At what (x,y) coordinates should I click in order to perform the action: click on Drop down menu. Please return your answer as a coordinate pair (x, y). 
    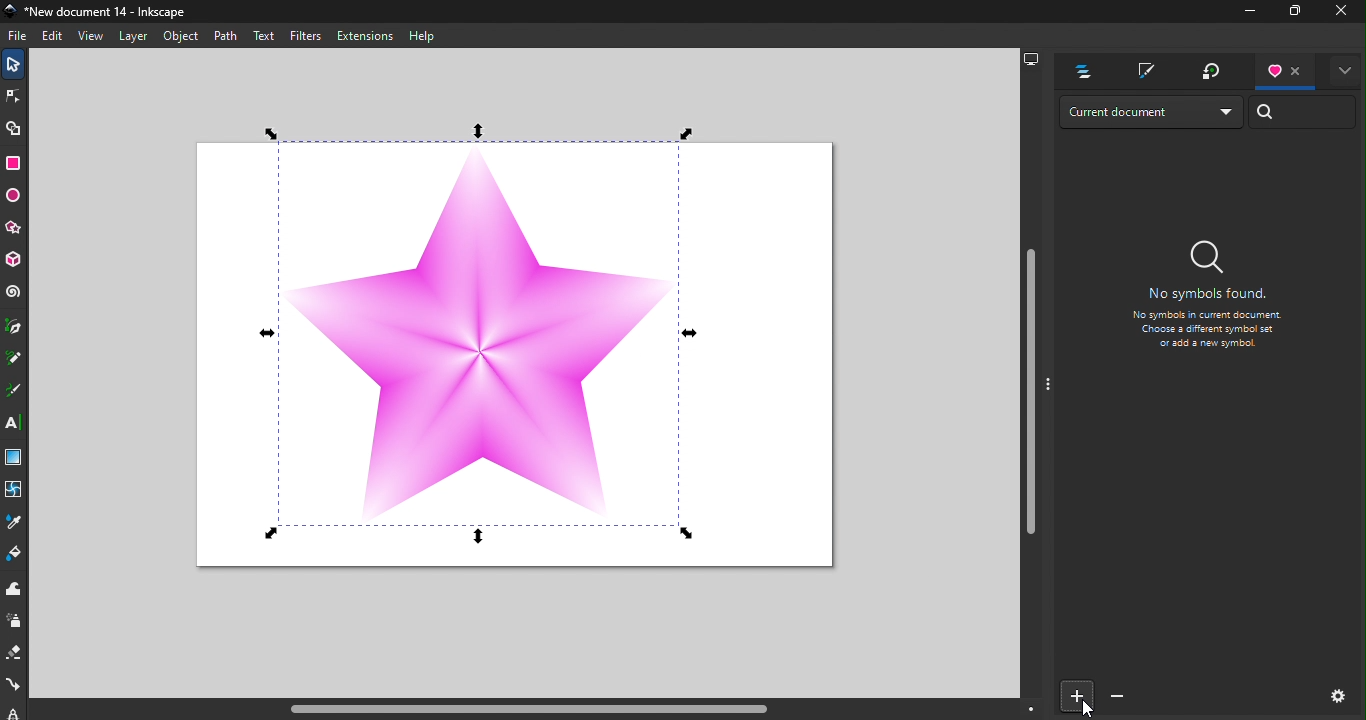
    Looking at the image, I should click on (1149, 112).